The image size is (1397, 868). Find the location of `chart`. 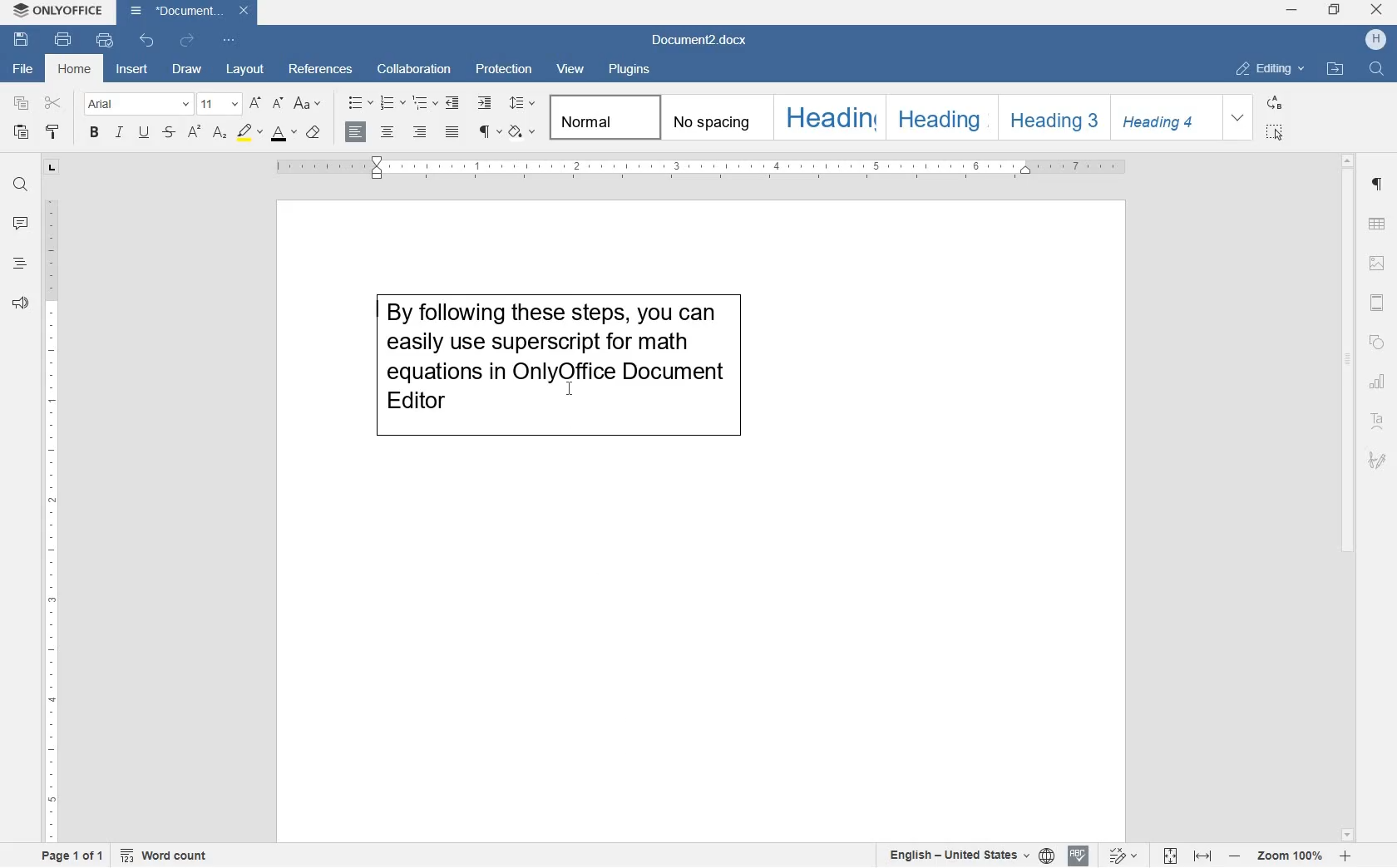

chart is located at coordinates (1377, 382).